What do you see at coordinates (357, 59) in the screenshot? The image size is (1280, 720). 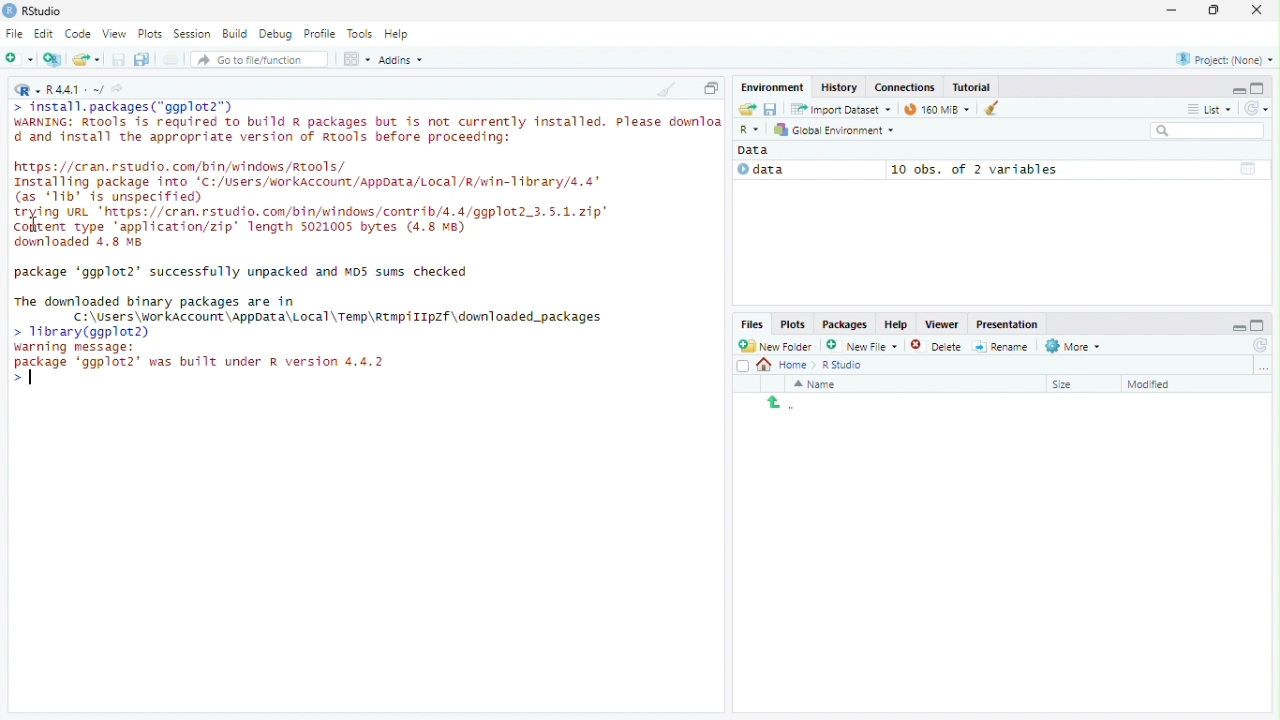 I see `workspace panes` at bounding box center [357, 59].